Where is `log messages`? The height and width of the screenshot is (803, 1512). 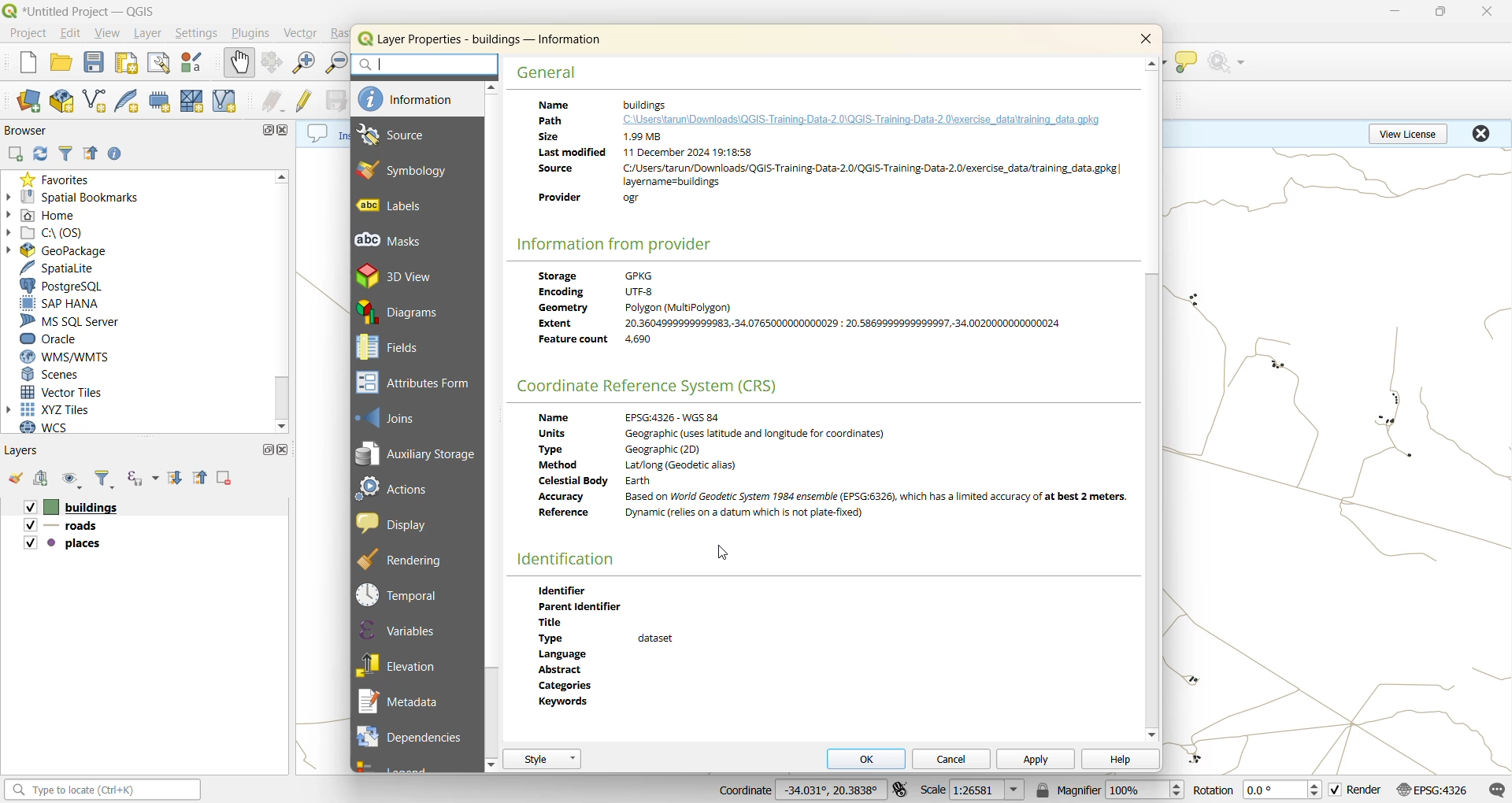 log messages is located at coordinates (1496, 790).